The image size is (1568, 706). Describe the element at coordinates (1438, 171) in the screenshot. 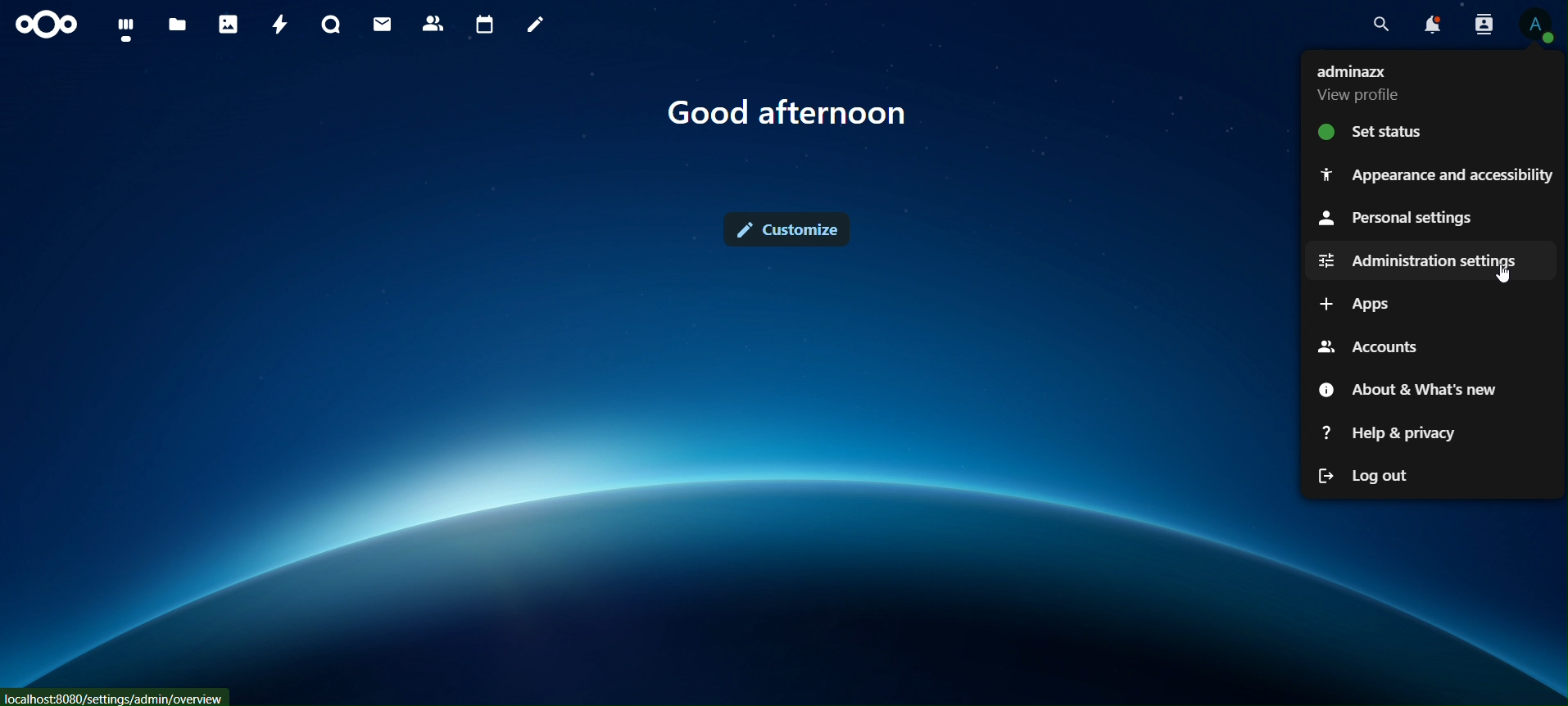

I see `appearance and accessibility` at that location.